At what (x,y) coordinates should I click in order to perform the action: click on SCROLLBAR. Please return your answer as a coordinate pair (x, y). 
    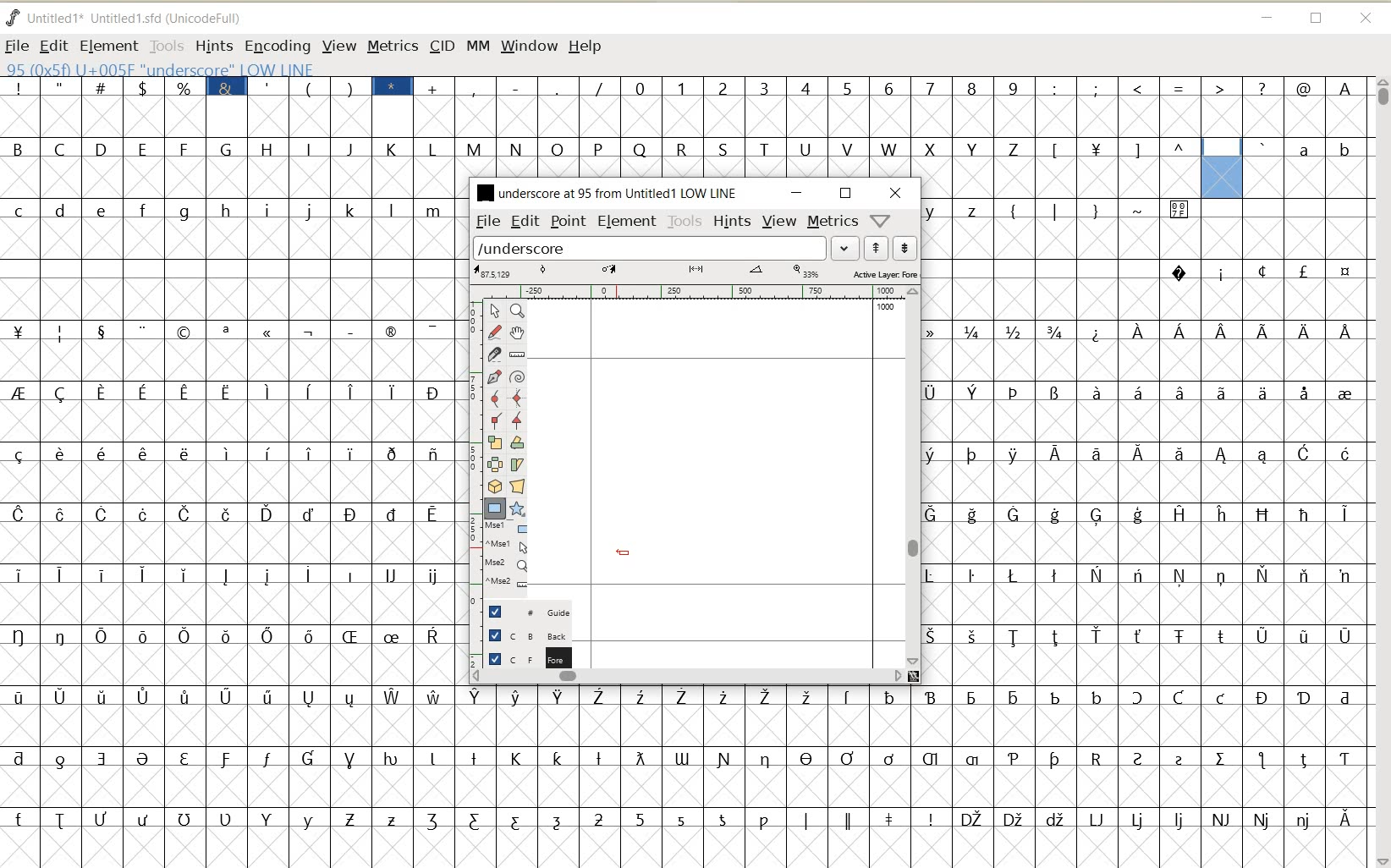
    Looking at the image, I should click on (687, 675).